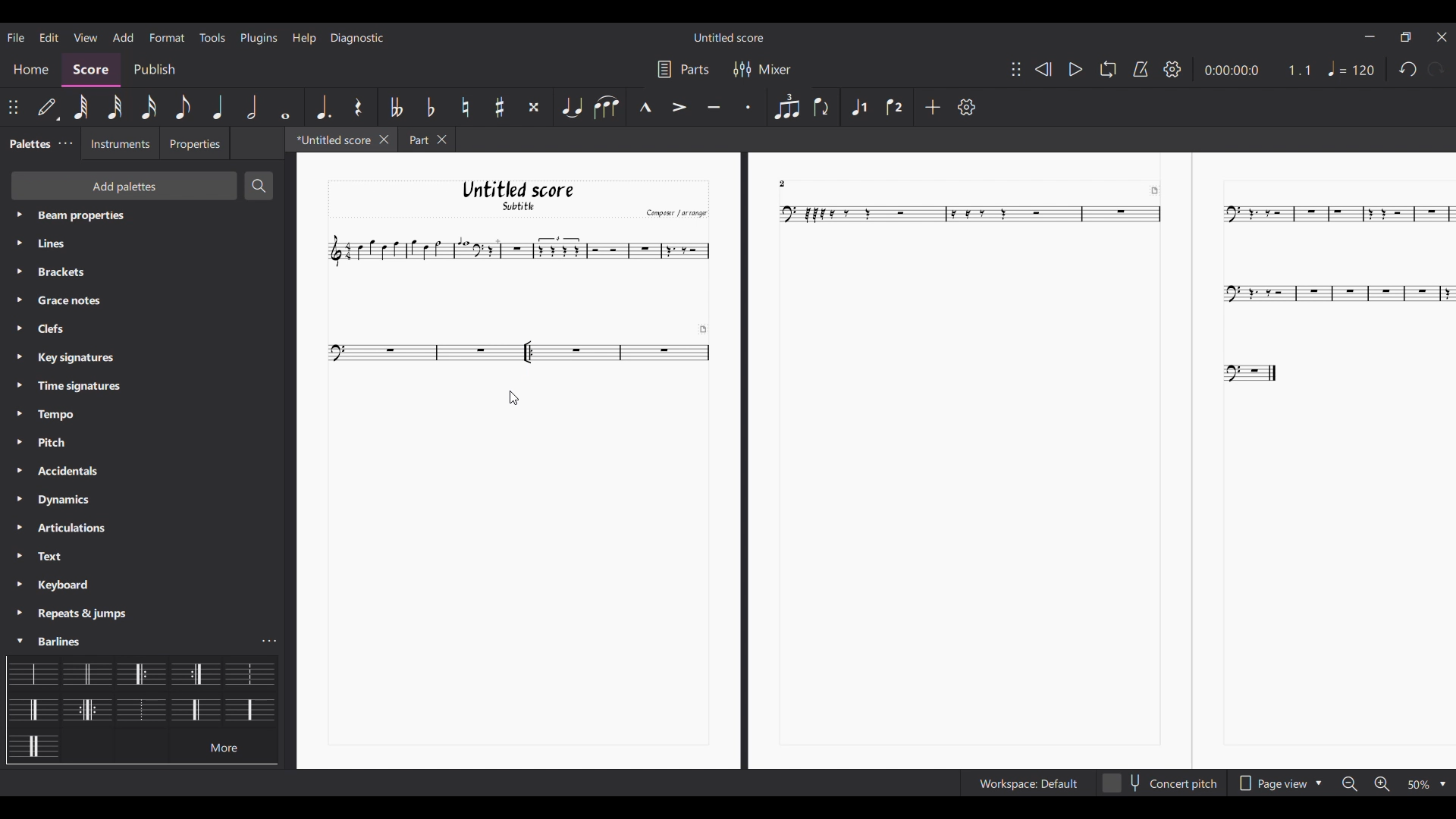 This screenshot has height=819, width=1456. Describe the element at coordinates (531, 351) in the screenshot. I see `Repeat bar added to measure` at that location.